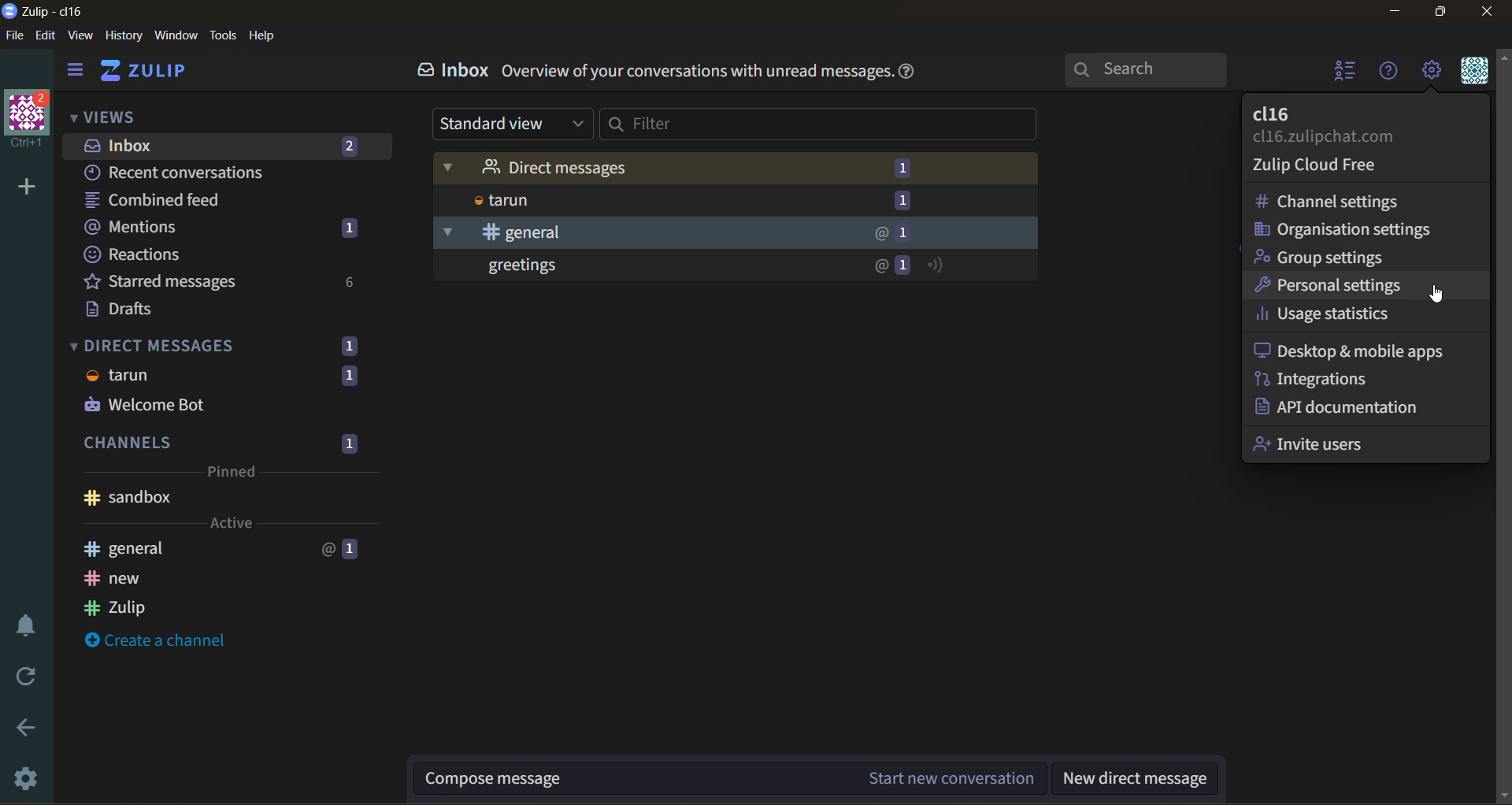 Image resolution: width=1512 pixels, height=805 pixels. Describe the element at coordinates (218, 442) in the screenshot. I see `channels` at that location.